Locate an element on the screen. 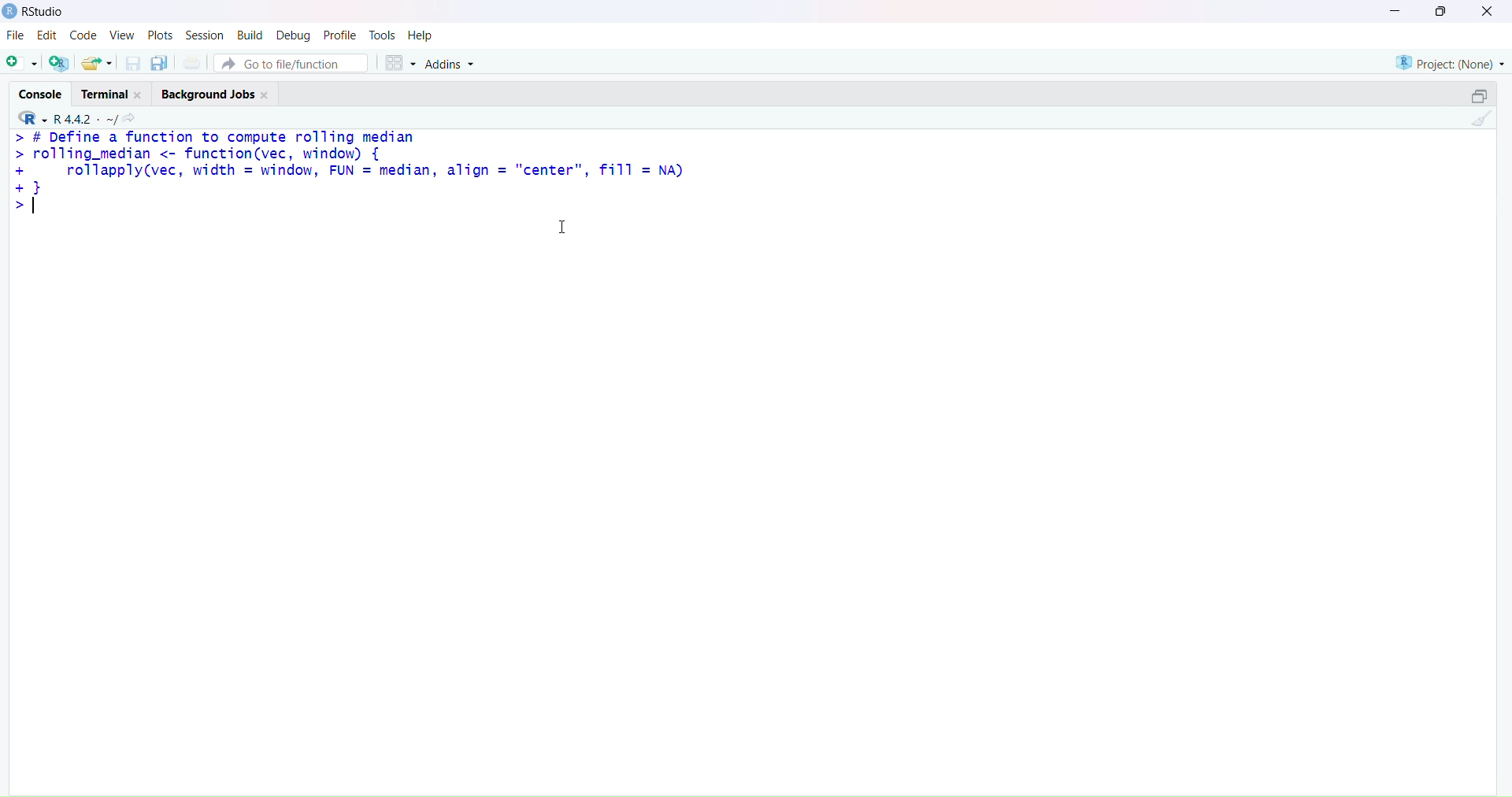 The width and height of the screenshot is (1512, 797). go to file/function is located at coordinates (293, 64).